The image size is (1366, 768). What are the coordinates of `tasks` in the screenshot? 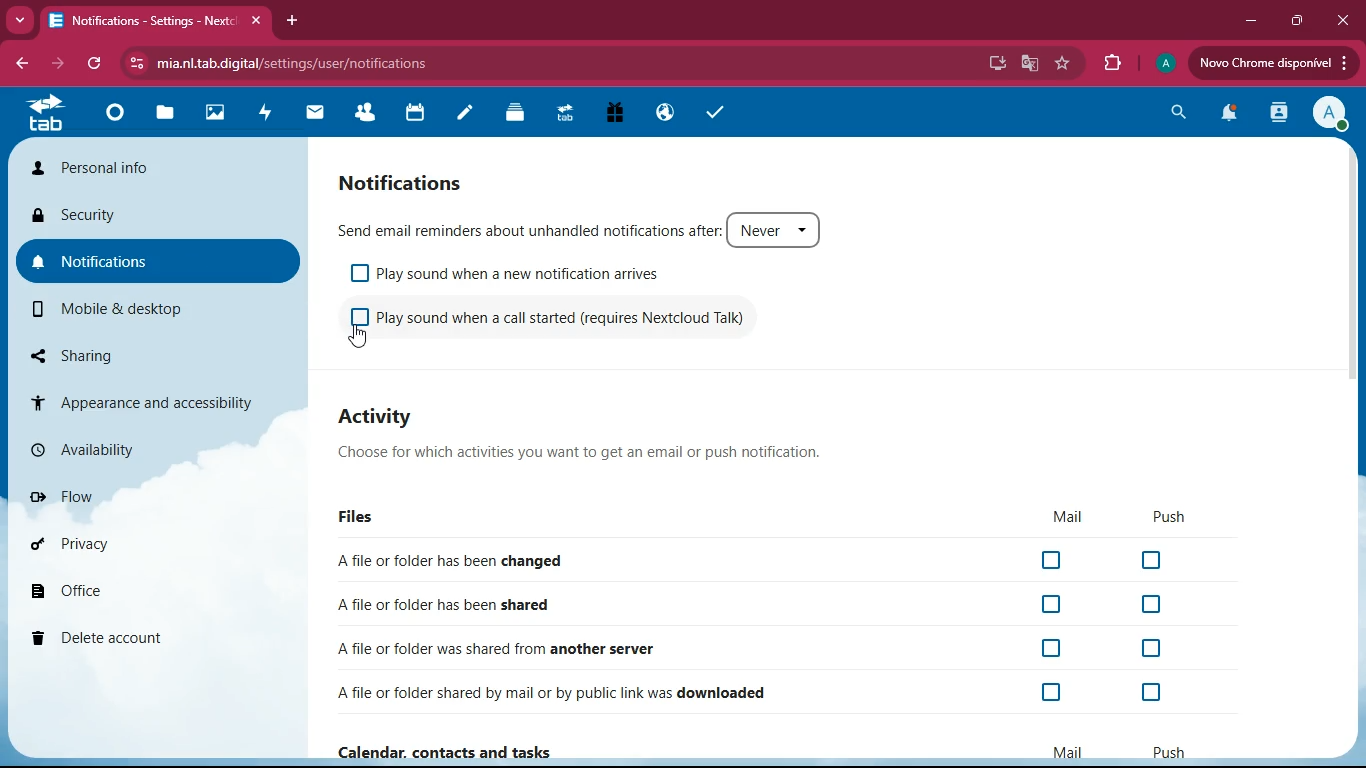 It's located at (717, 115).